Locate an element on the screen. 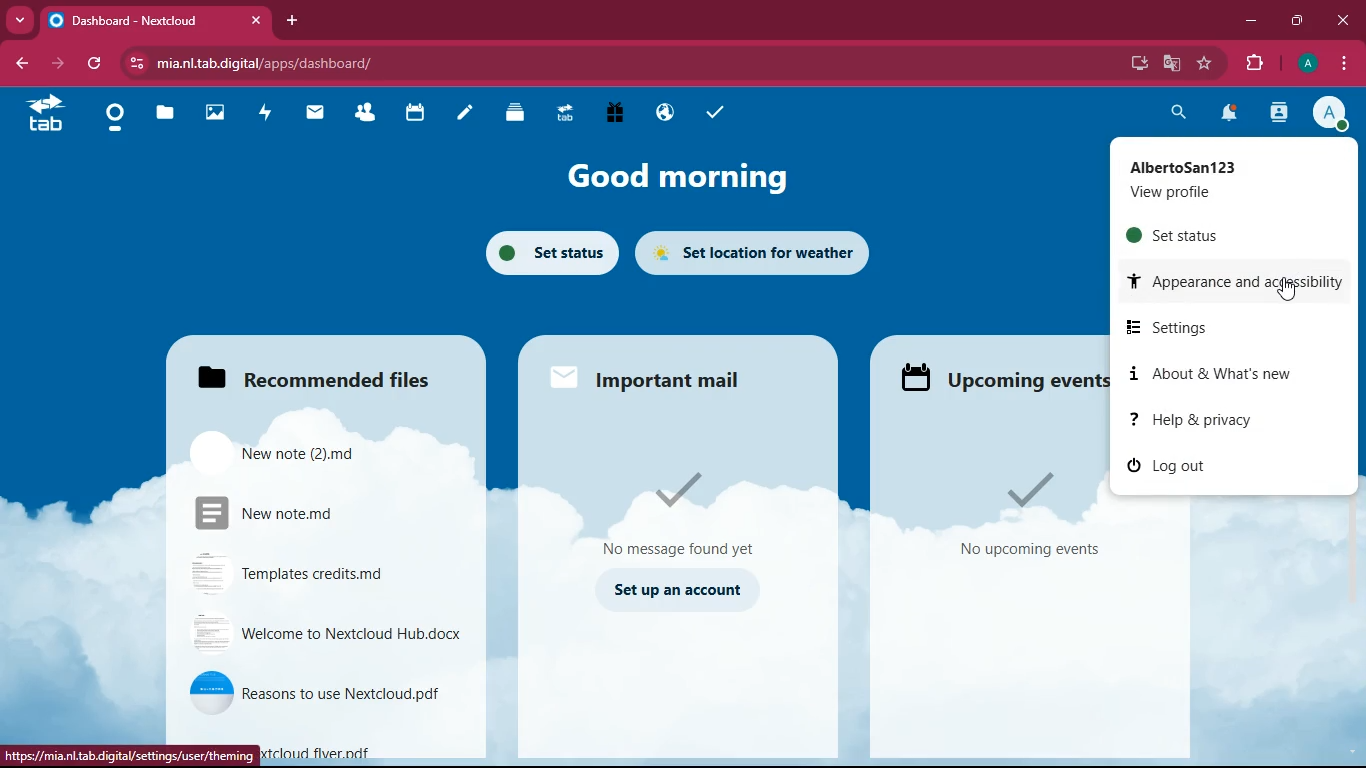  friends is located at coordinates (362, 113).